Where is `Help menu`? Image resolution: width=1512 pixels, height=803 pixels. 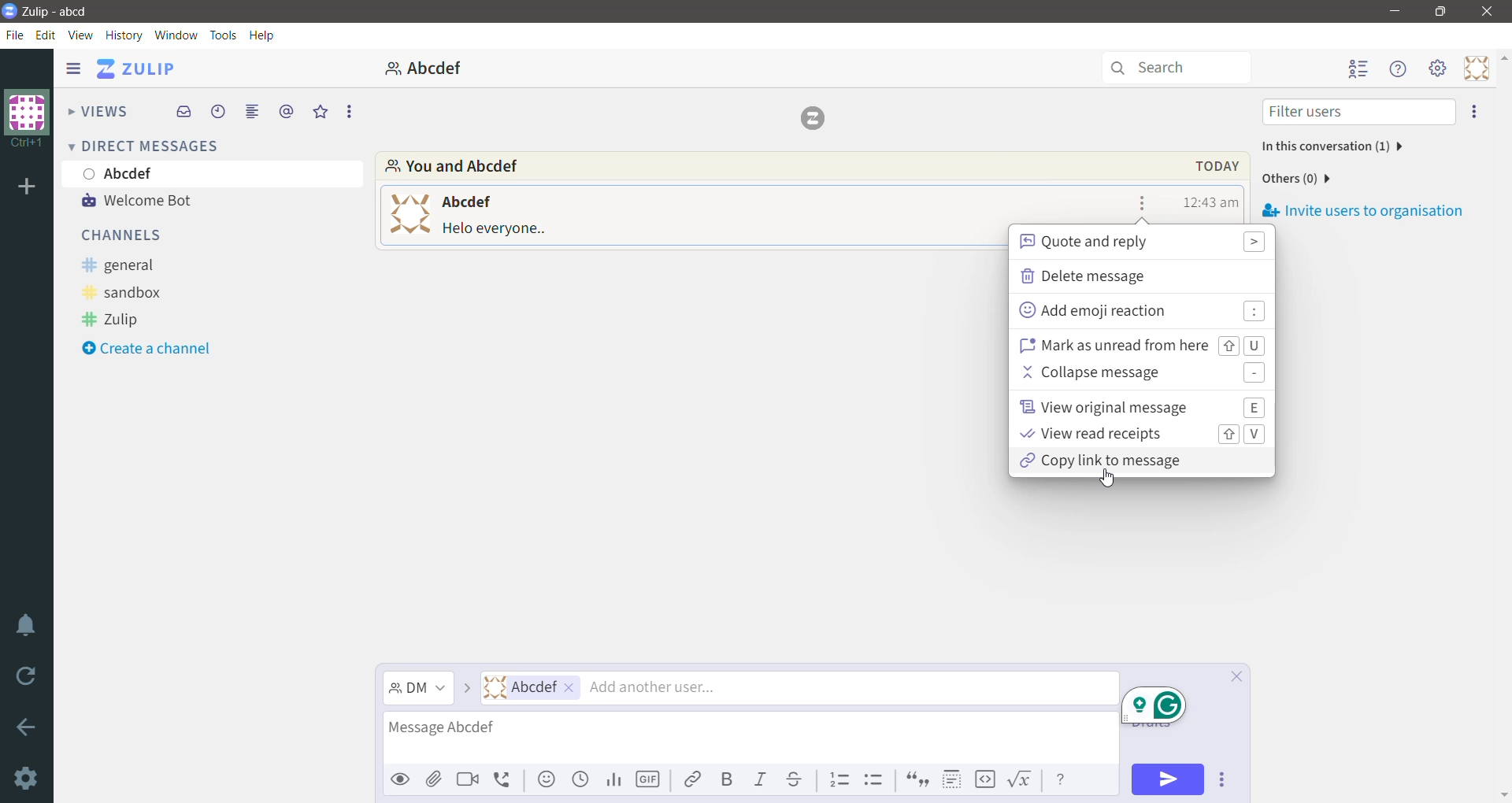
Help menu is located at coordinates (1400, 68).